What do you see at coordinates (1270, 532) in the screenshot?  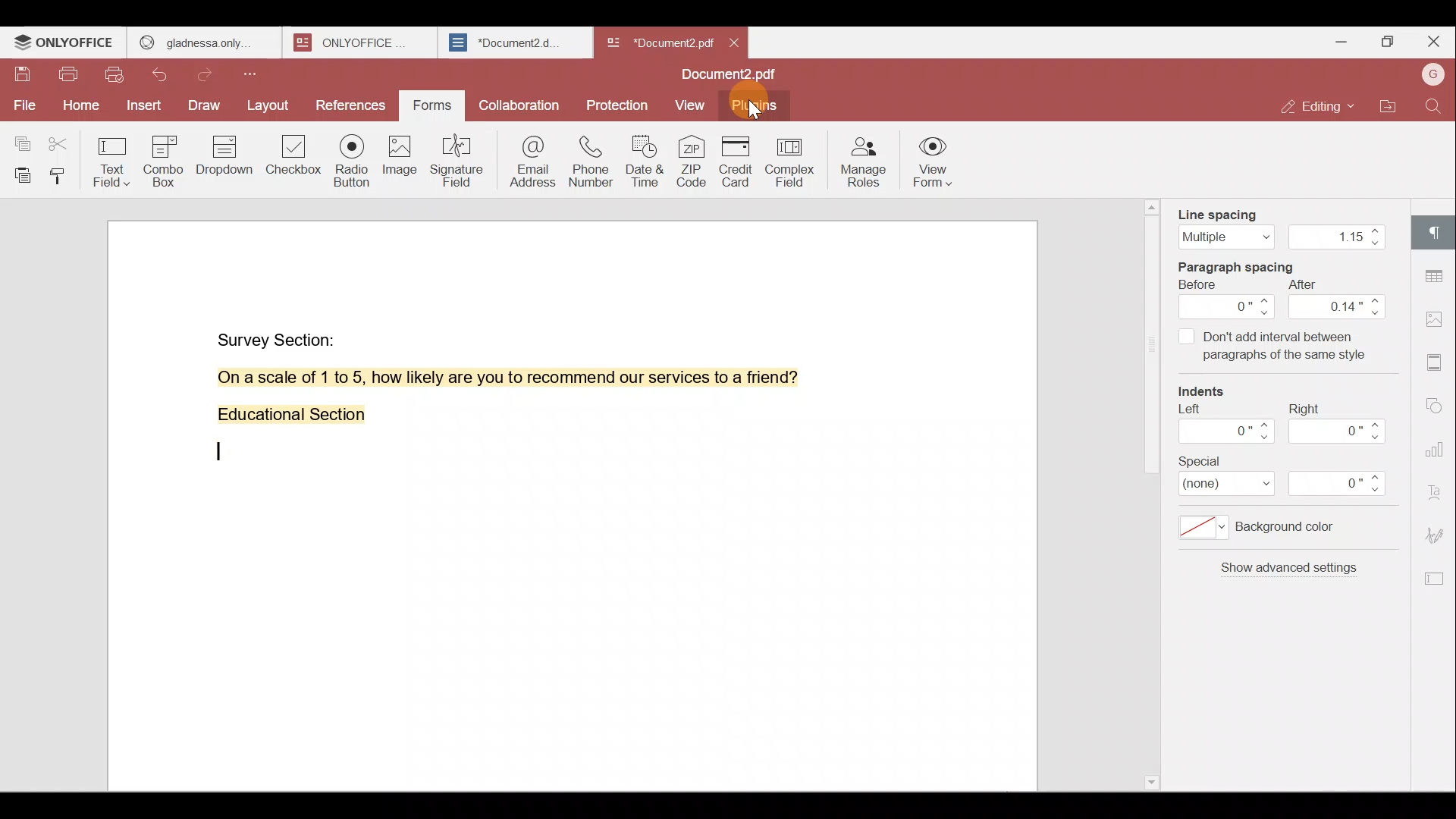 I see `Background color` at bounding box center [1270, 532].